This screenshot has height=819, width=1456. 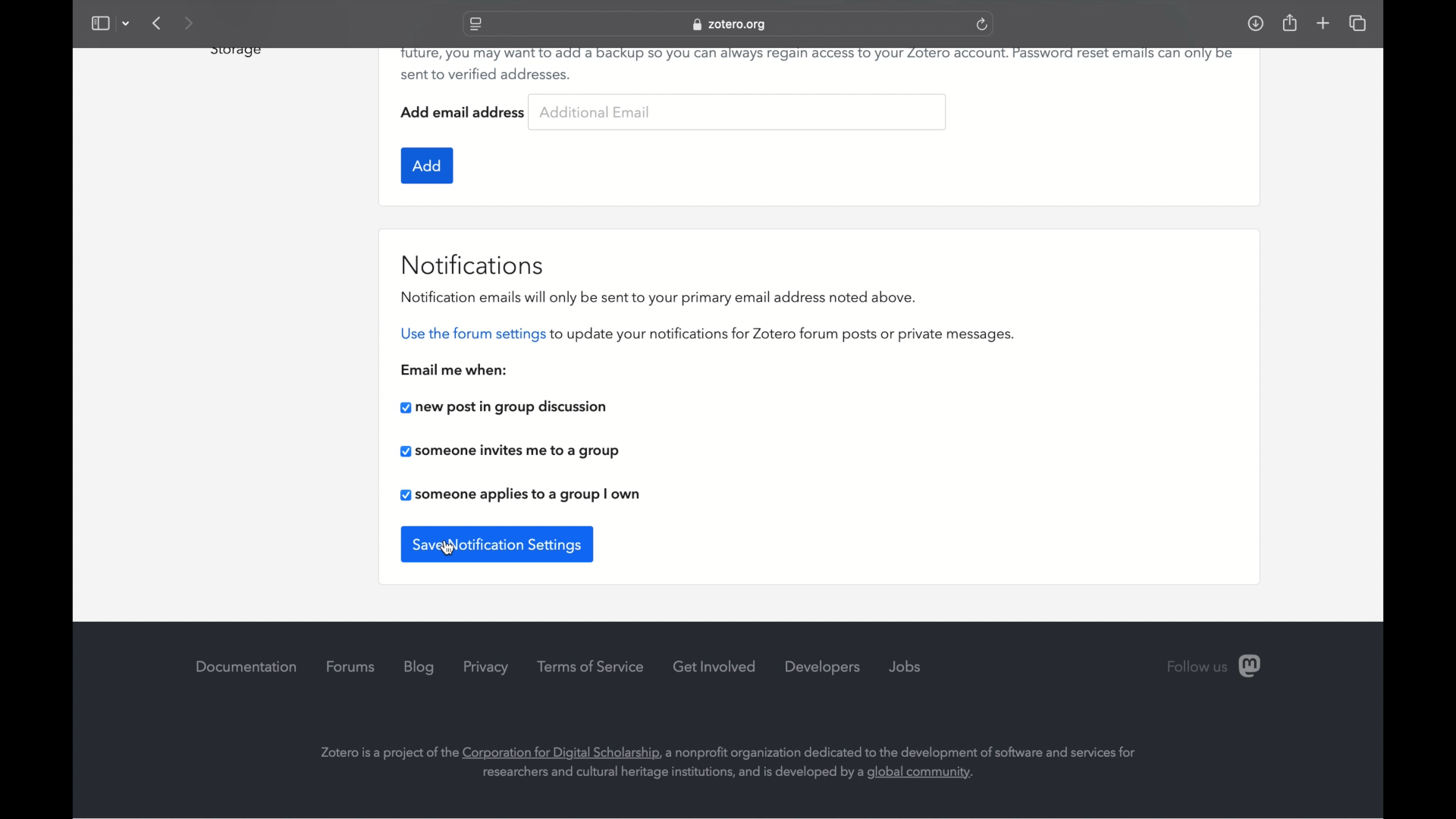 I want to click on website settings, so click(x=475, y=25).